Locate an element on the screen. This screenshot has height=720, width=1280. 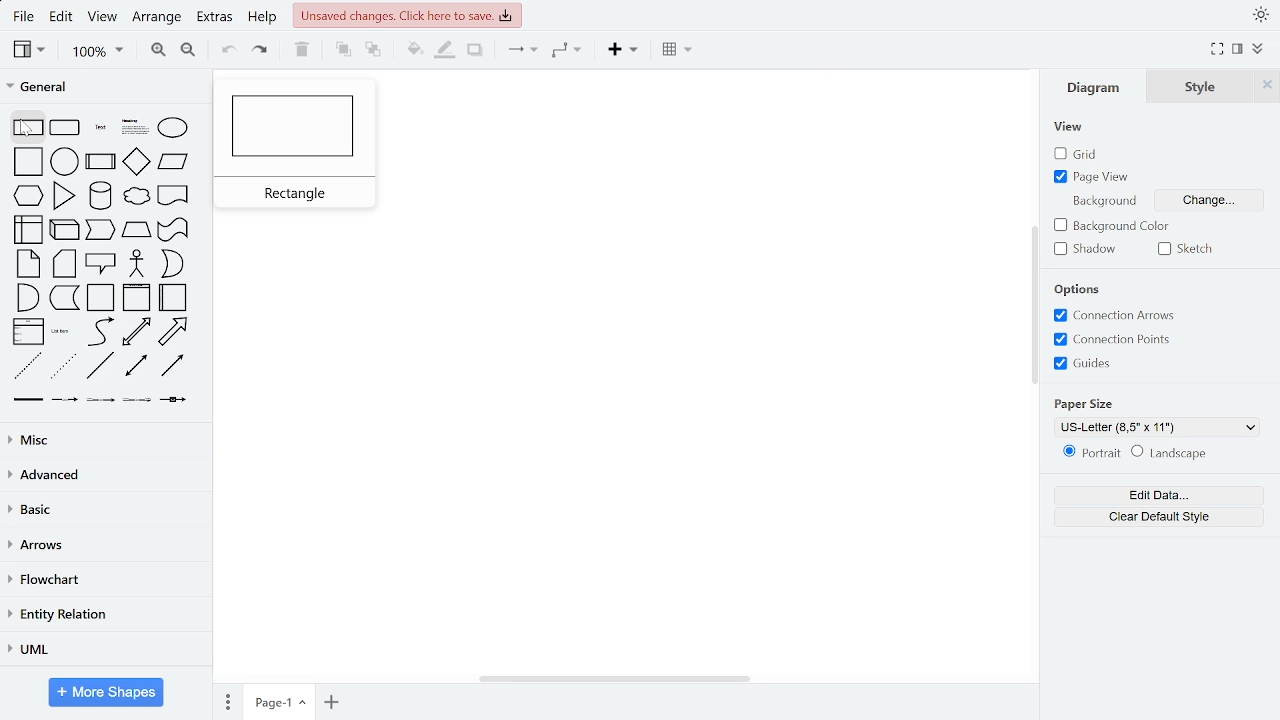
redo is located at coordinates (259, 52).